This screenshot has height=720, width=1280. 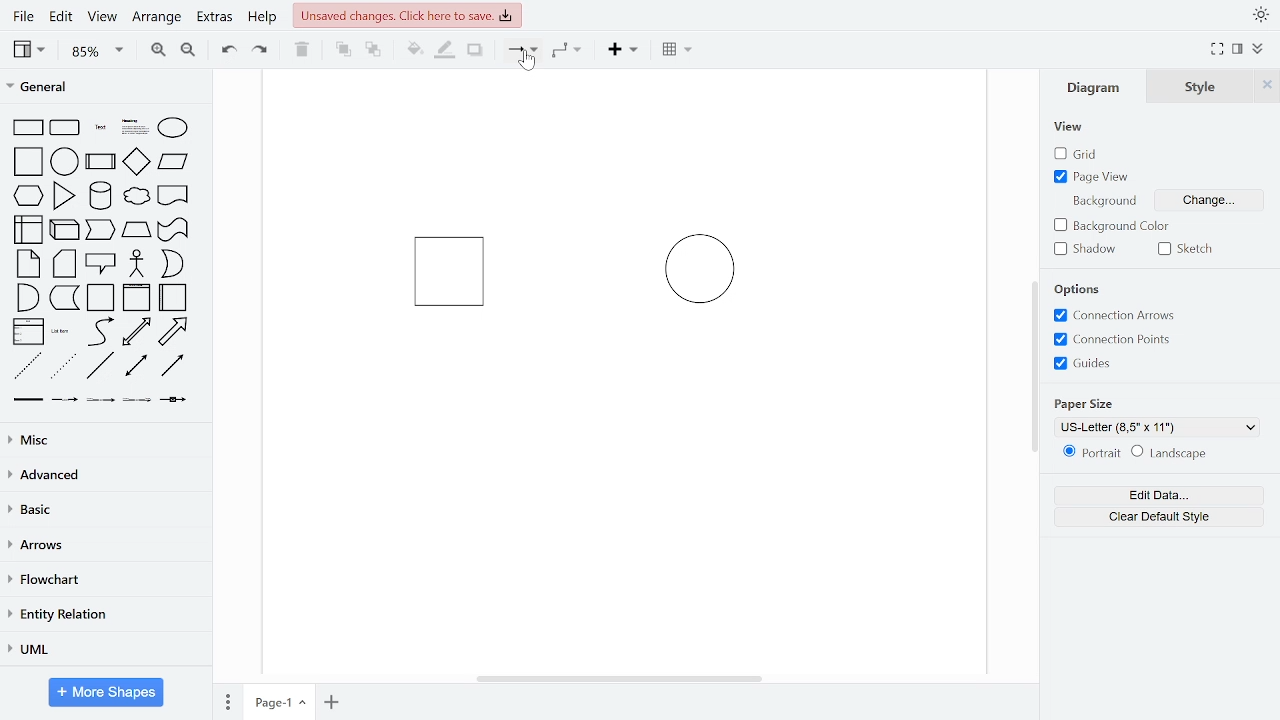 What do you see at coordinates (262, 18) in the screenshot?
I see `help` at bounding box center [262, 18].